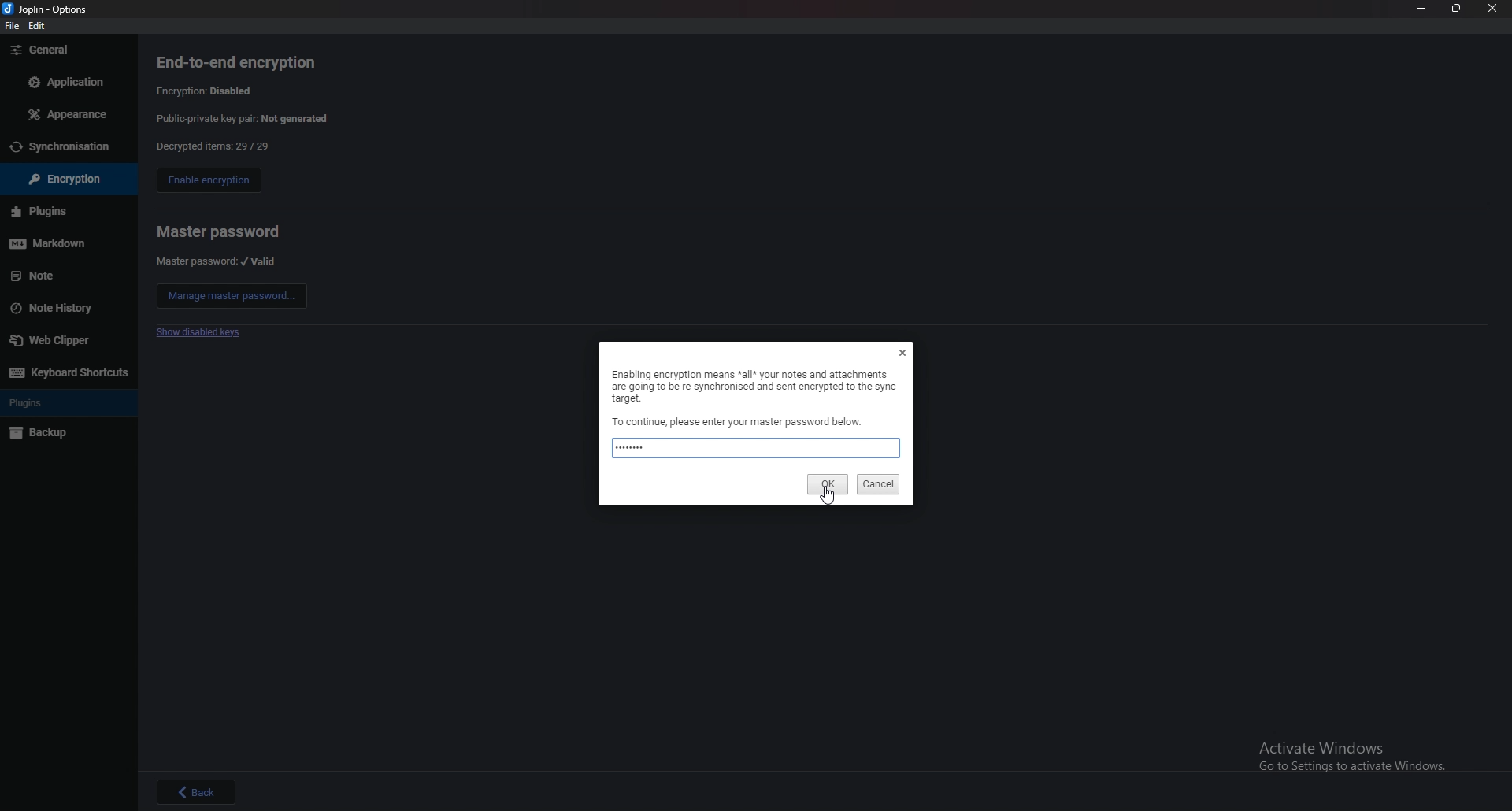  What do you see at coordinates (902, 351) in the screenshot?
I see `` at bounding box center [902, 351].